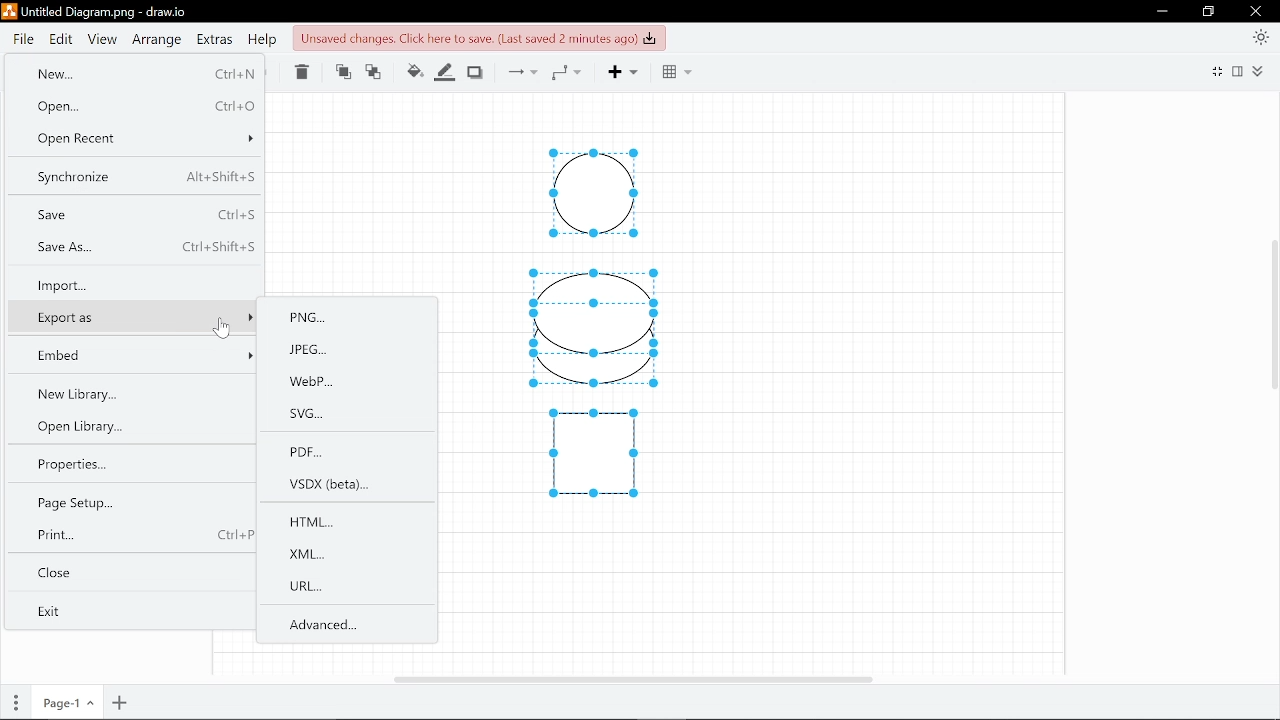  What do you see at coordinates (1272, 316) in the screenshot?
I see `Vertical cursor` at bounding box center [1272, 316].